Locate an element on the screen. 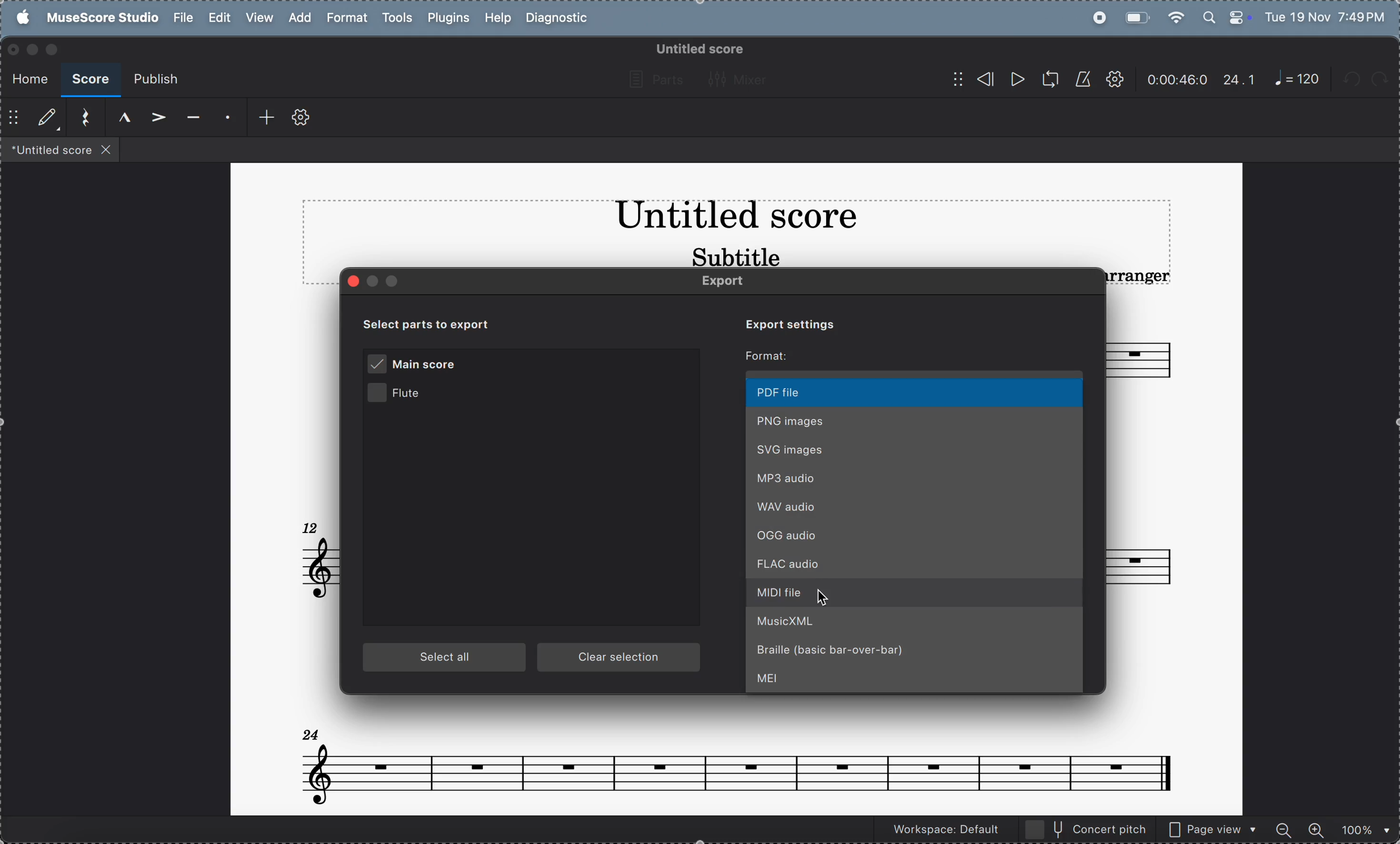 The height and width of the screenshot is (844, 1400). mixer is located at coordinates (741, 79).